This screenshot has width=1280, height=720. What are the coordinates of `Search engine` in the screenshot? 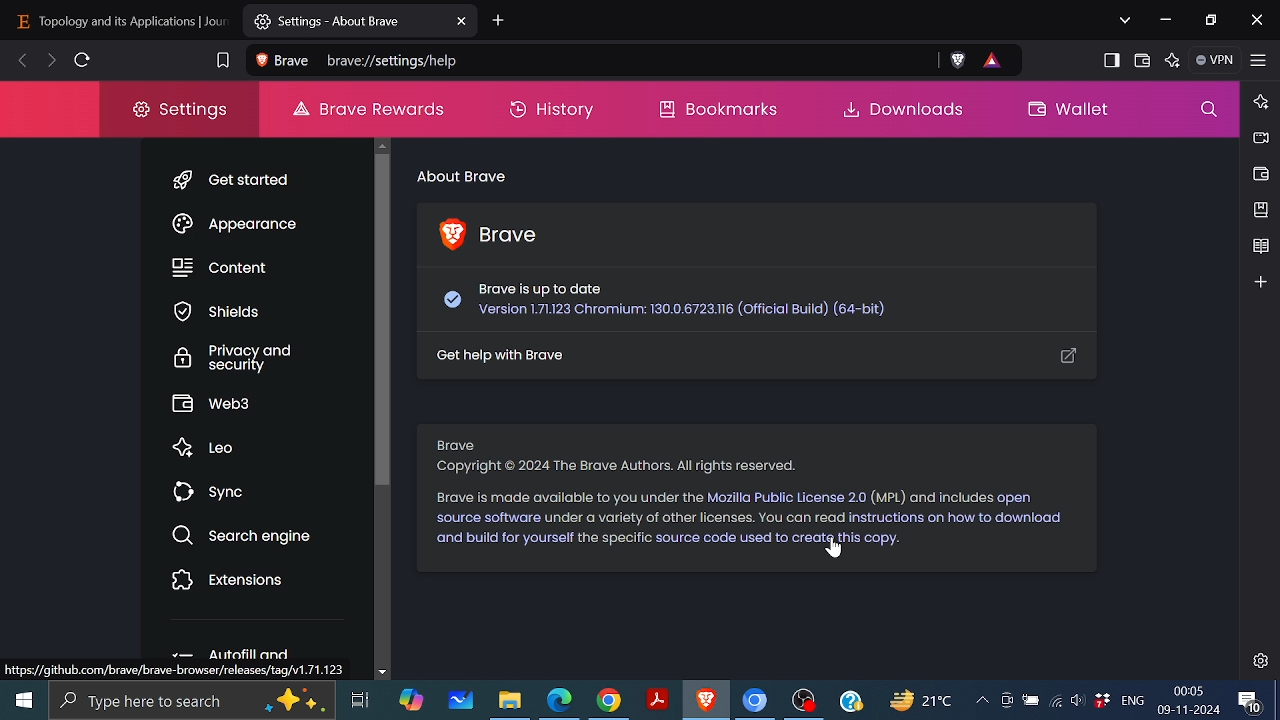 It's located at (245, 535).